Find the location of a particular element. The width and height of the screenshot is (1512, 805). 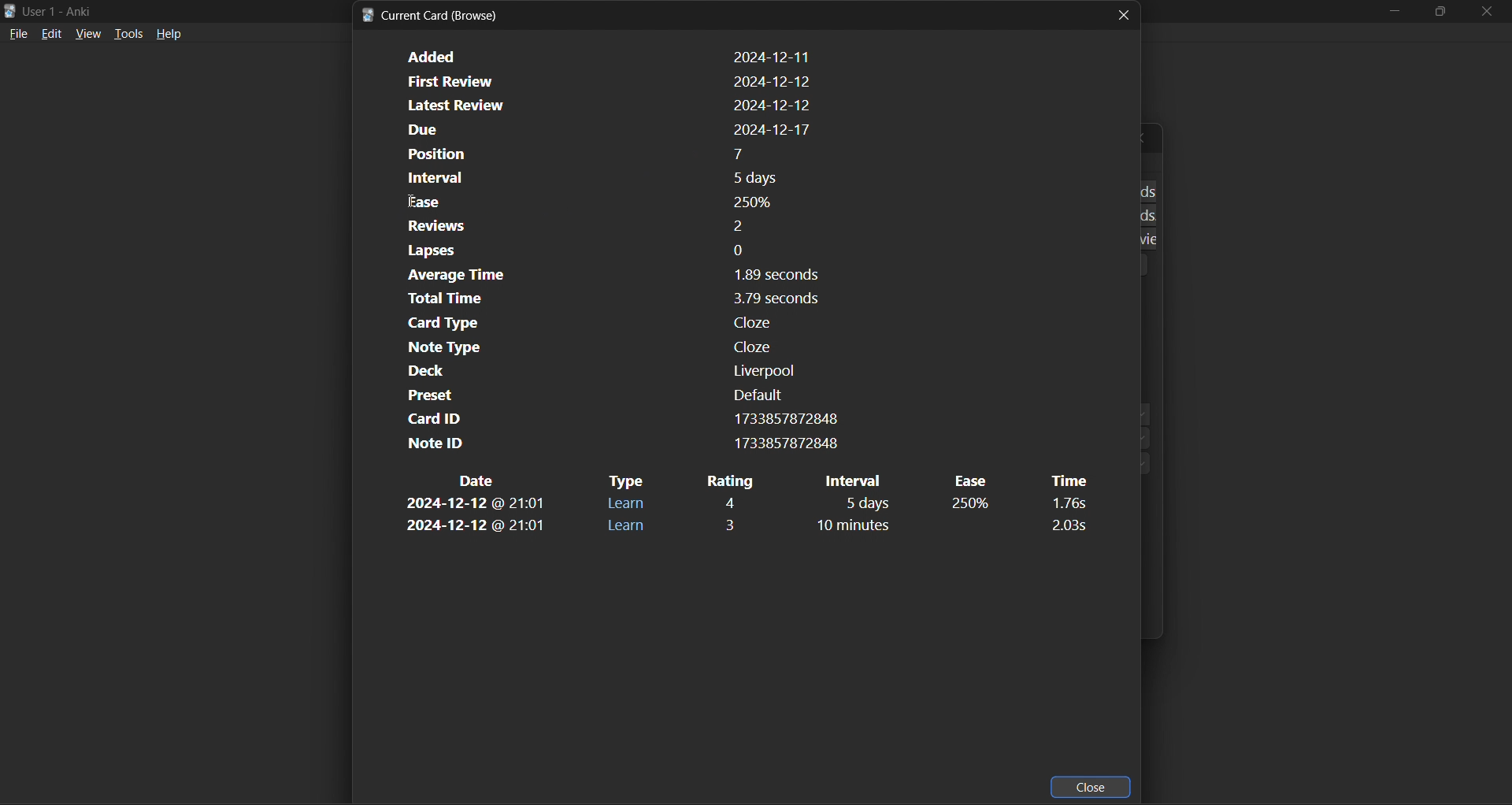

close is located at coordinates (1124, 14).